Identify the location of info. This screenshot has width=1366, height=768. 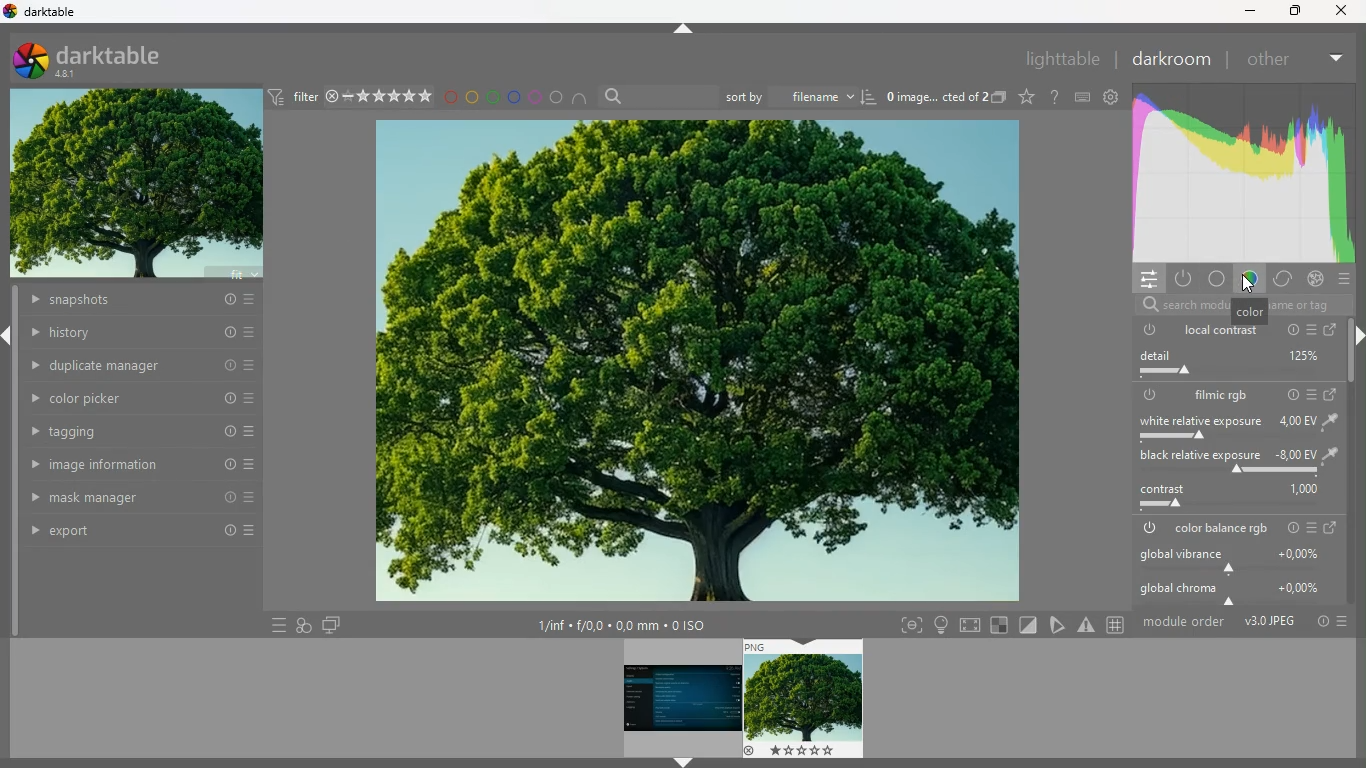
(1289, 394).